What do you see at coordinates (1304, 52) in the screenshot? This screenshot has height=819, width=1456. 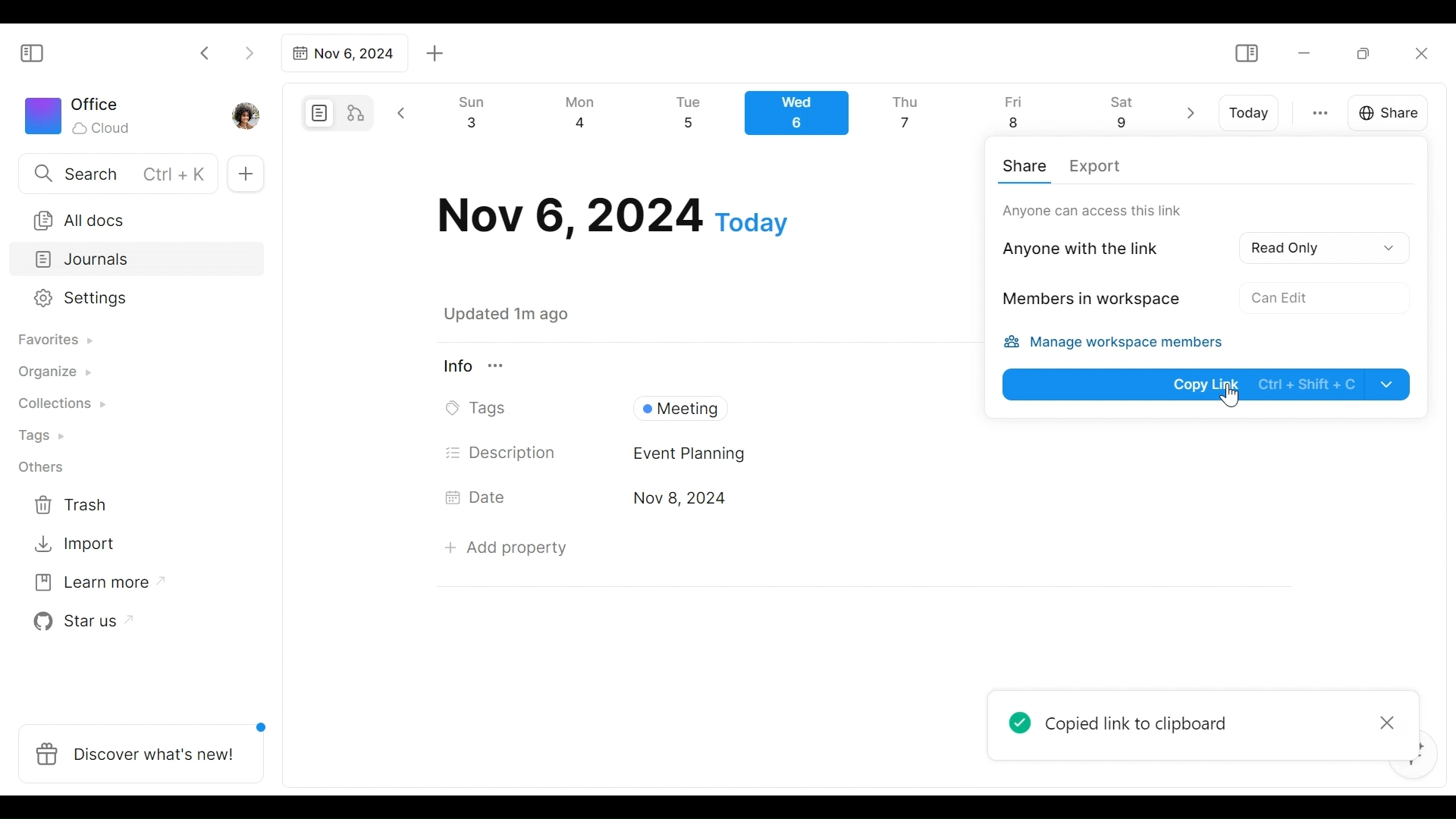 I see `Minimize` at bounding box center [1304, 52].